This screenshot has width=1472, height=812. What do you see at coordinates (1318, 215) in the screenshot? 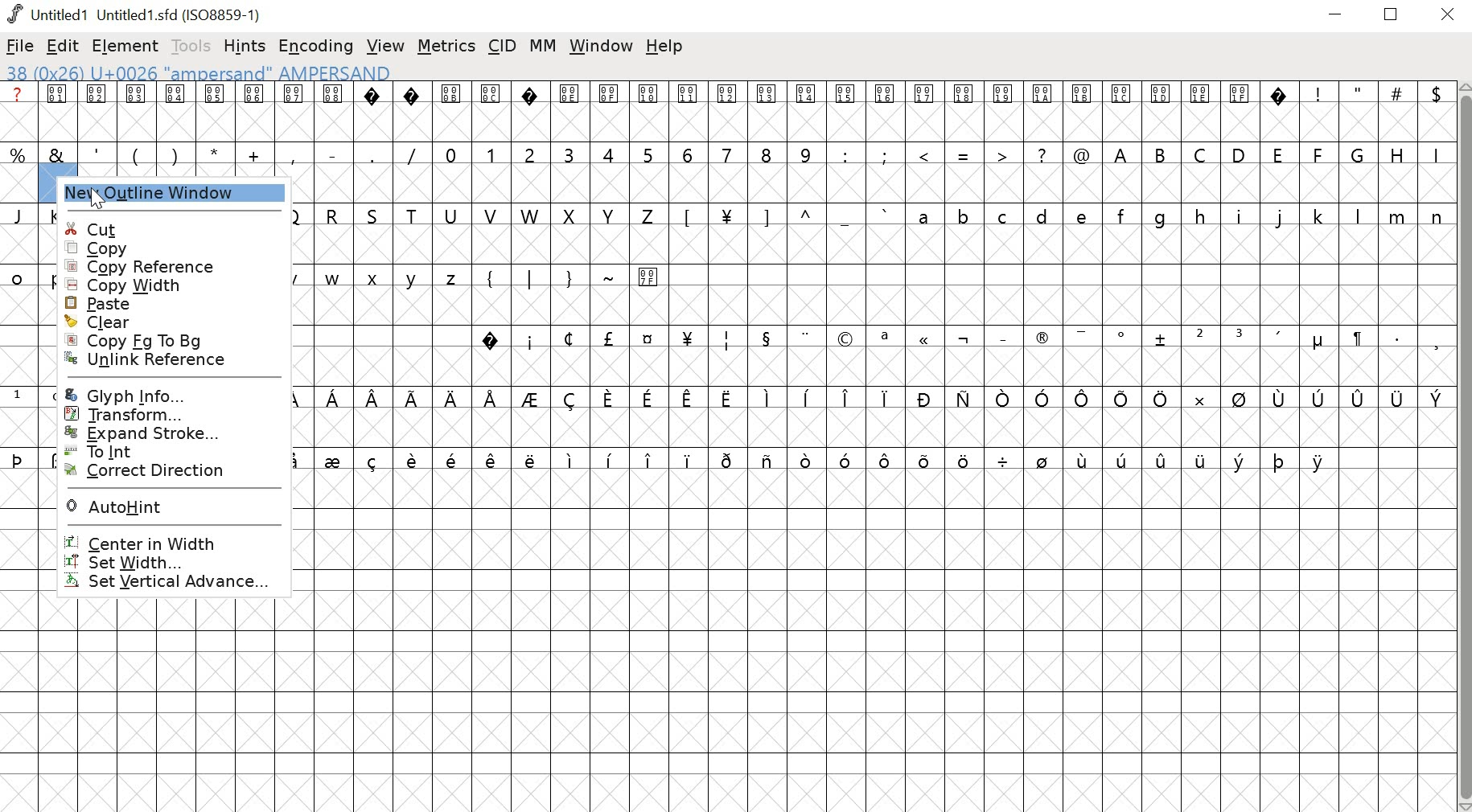
I see `k` at bounding box center [1318, 215].